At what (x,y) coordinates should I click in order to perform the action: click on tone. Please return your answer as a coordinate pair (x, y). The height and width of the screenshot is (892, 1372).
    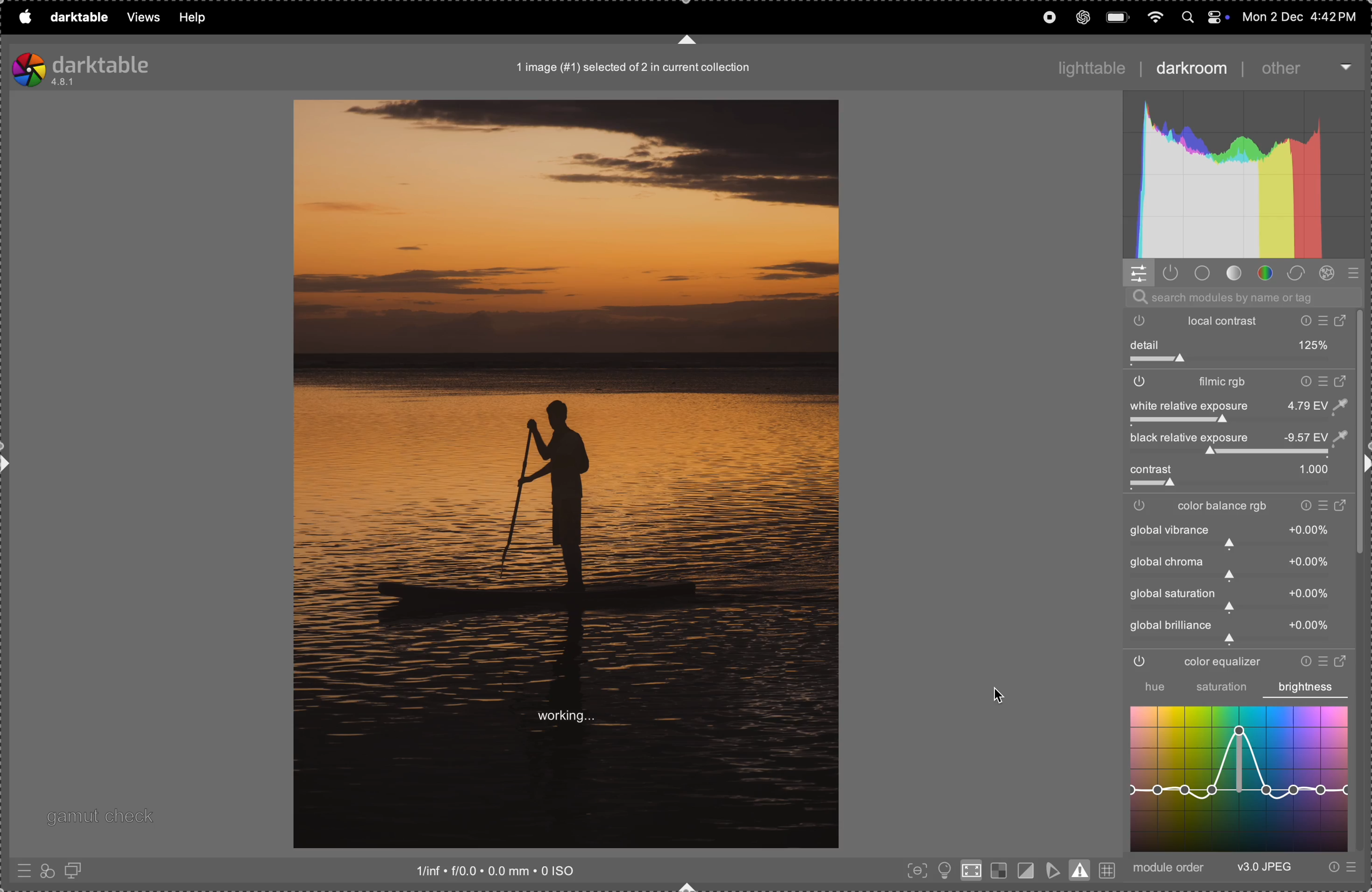
    Looking at the image, I should click on (1234, 274).